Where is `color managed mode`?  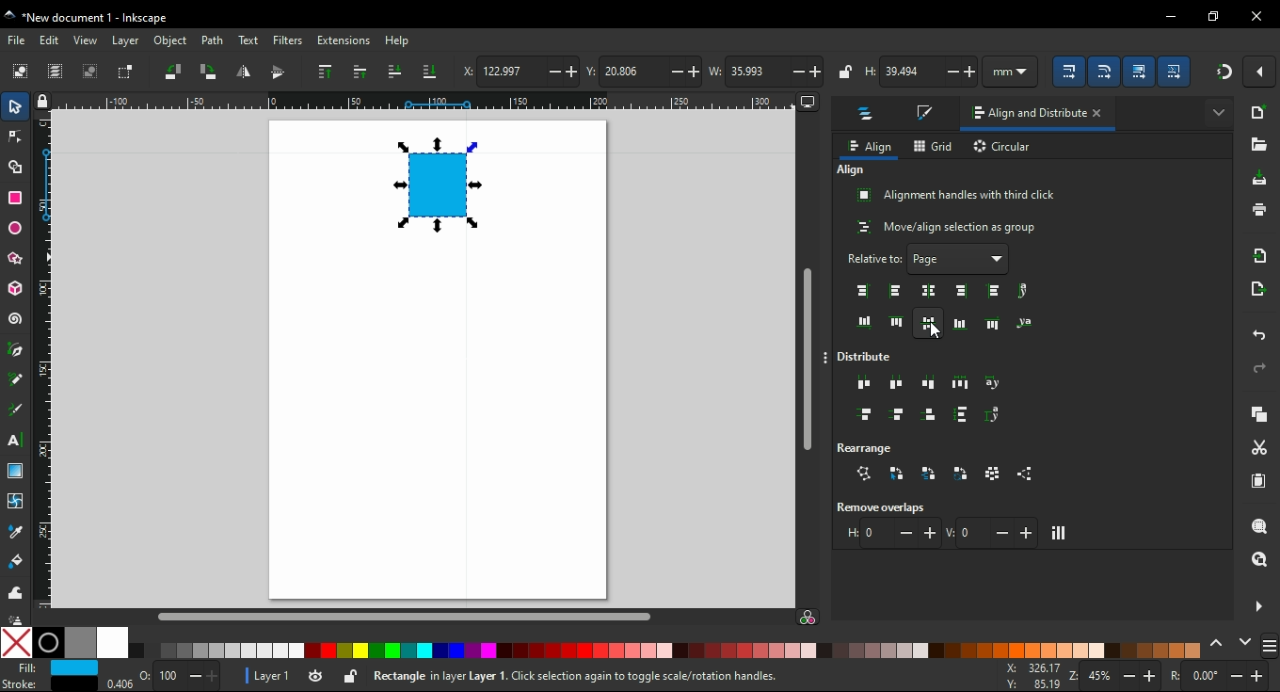 color managed mode is located at coordinates (807, 619).